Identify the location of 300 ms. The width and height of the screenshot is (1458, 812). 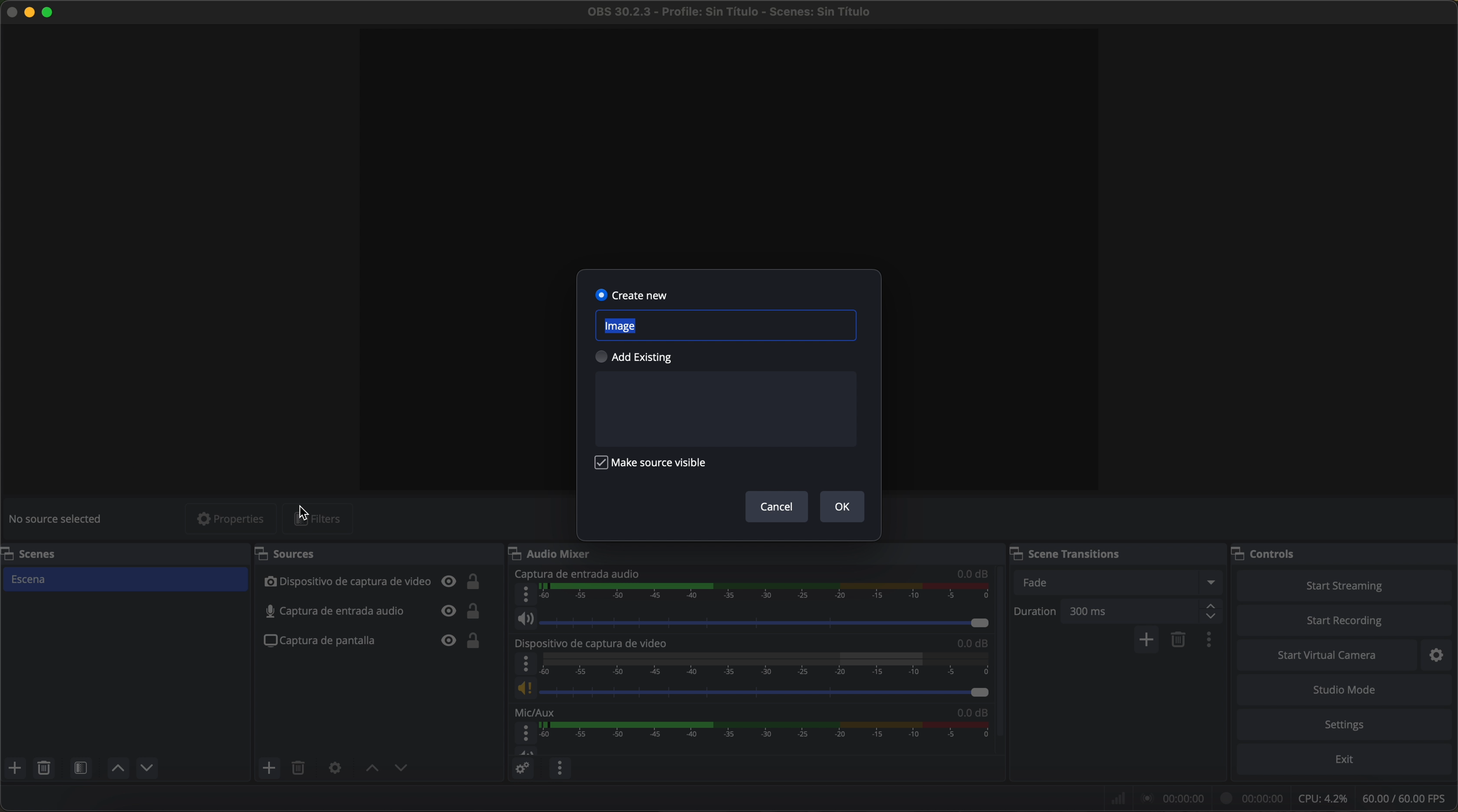
(1143, 611).